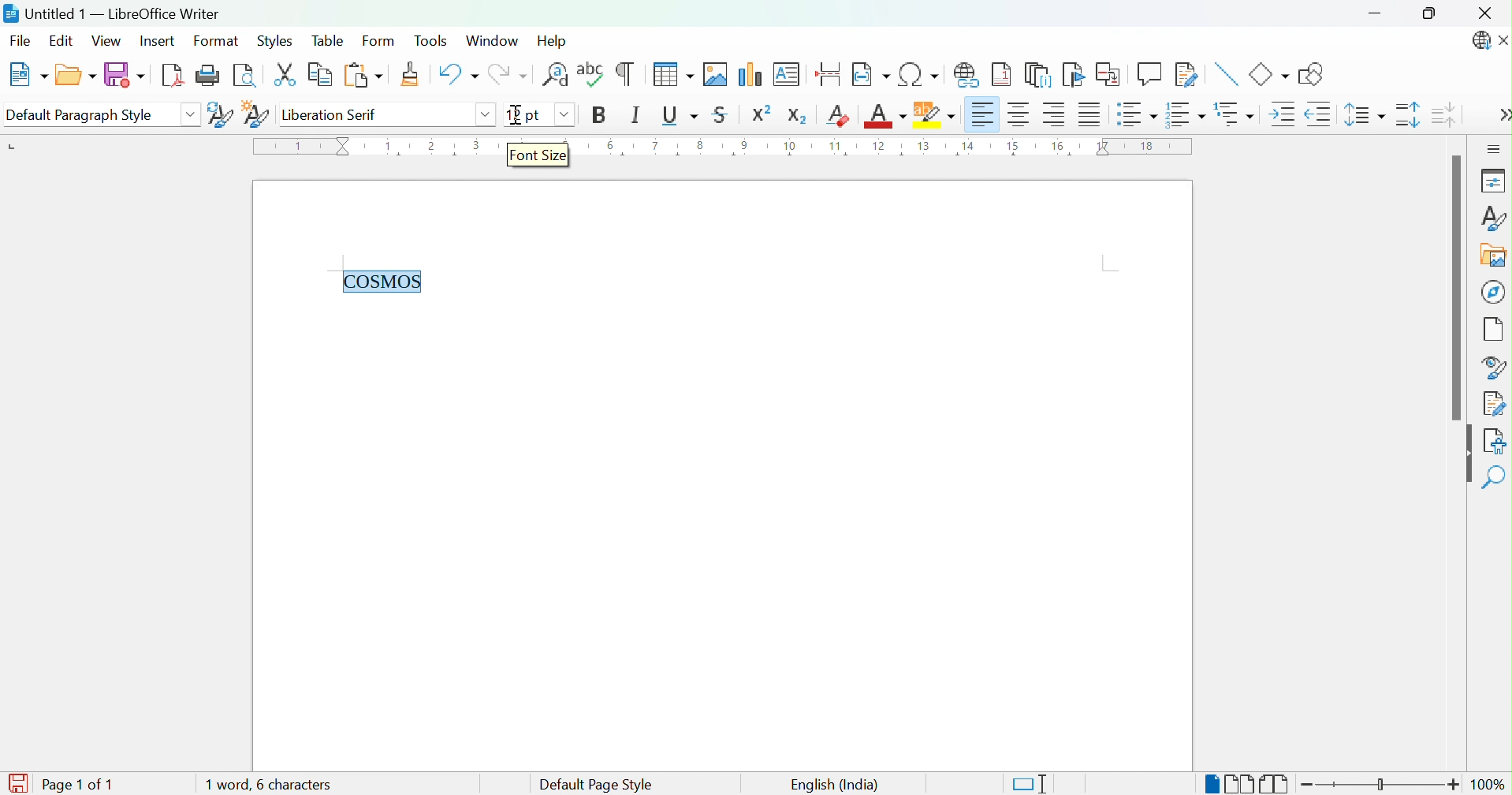 Image resolution: width=1512 pixels, height=795 pixels. What do you see at coordinates (1494, 366) in the screenshot?
I see `Style Inspector` at bounding box center [1494, 366].